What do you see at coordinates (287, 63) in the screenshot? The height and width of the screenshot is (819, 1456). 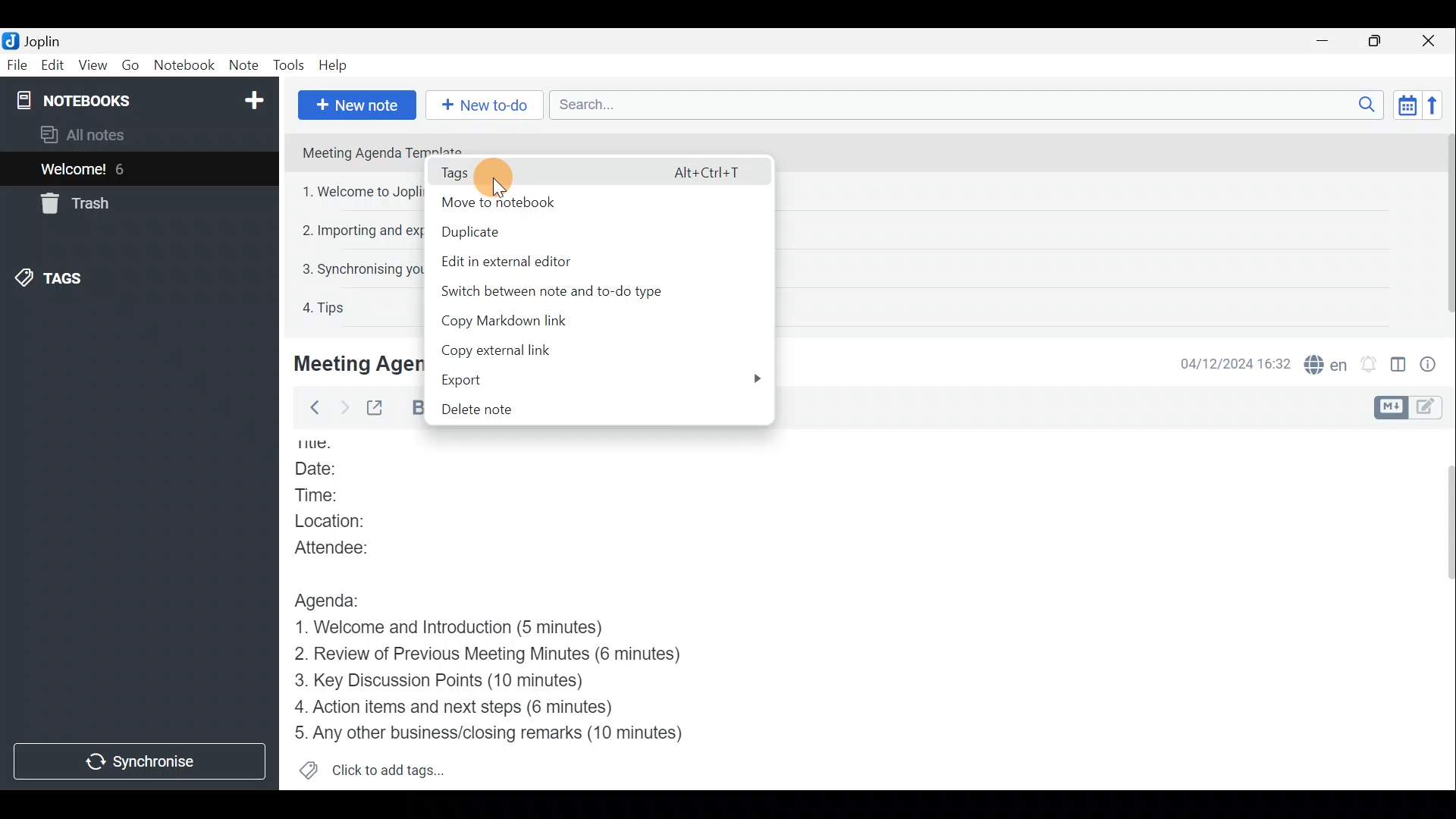 I see `Tools` at bounding box center [287, 63].